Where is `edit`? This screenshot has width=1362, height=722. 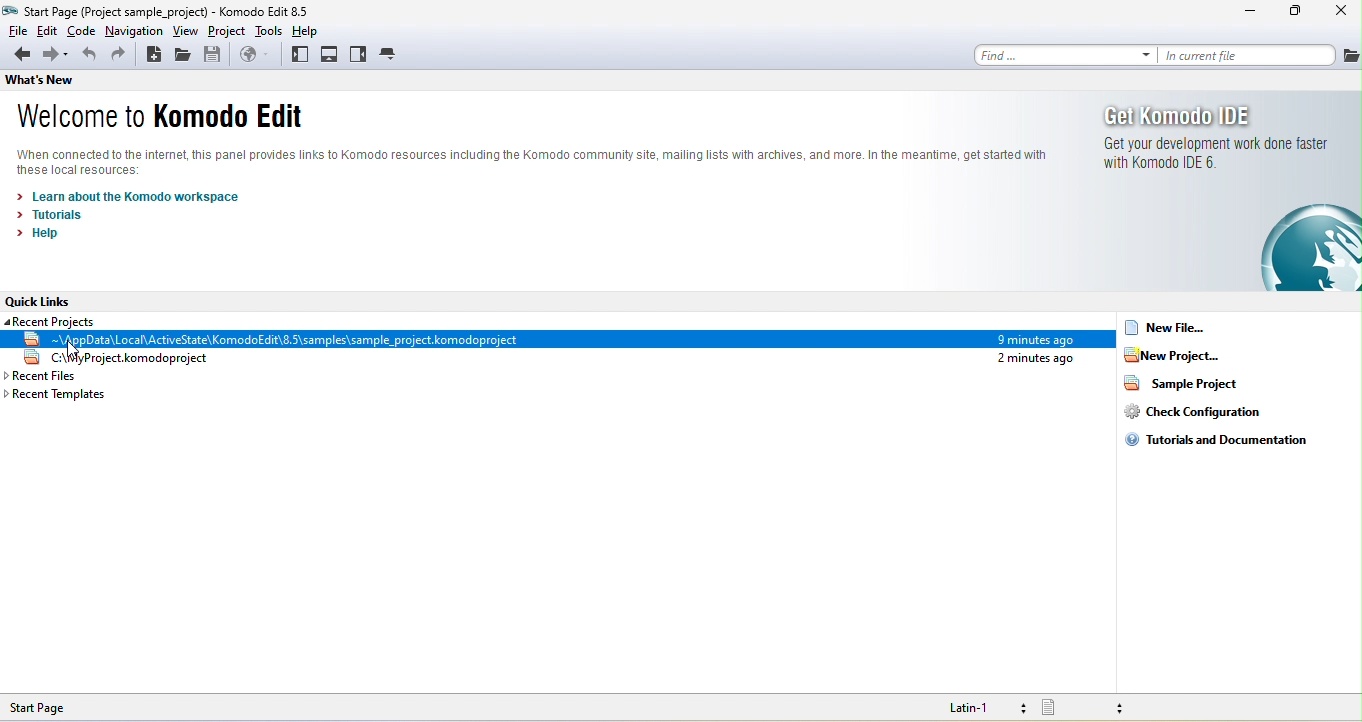
edit is located at coordinates (49, 32).